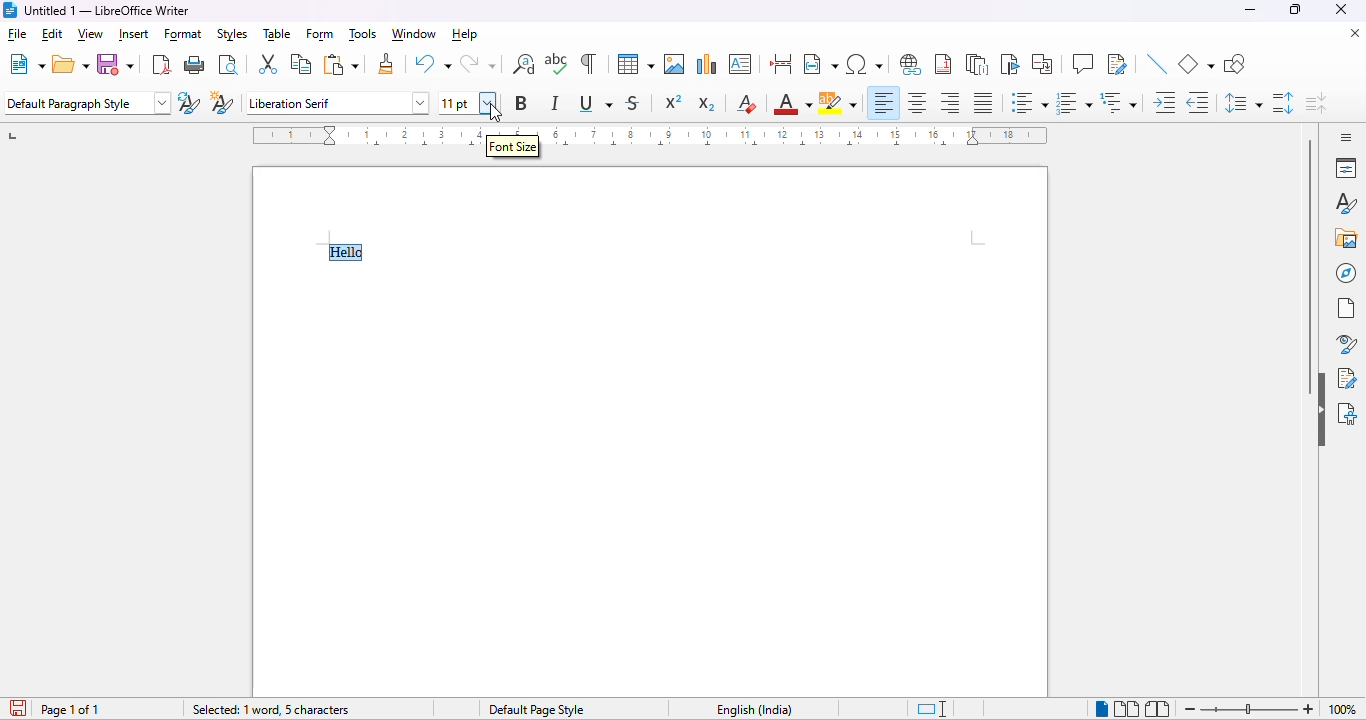 The width and height of the screenshot is (1366, 720). I want to click on insert text box, so click(741, 64).